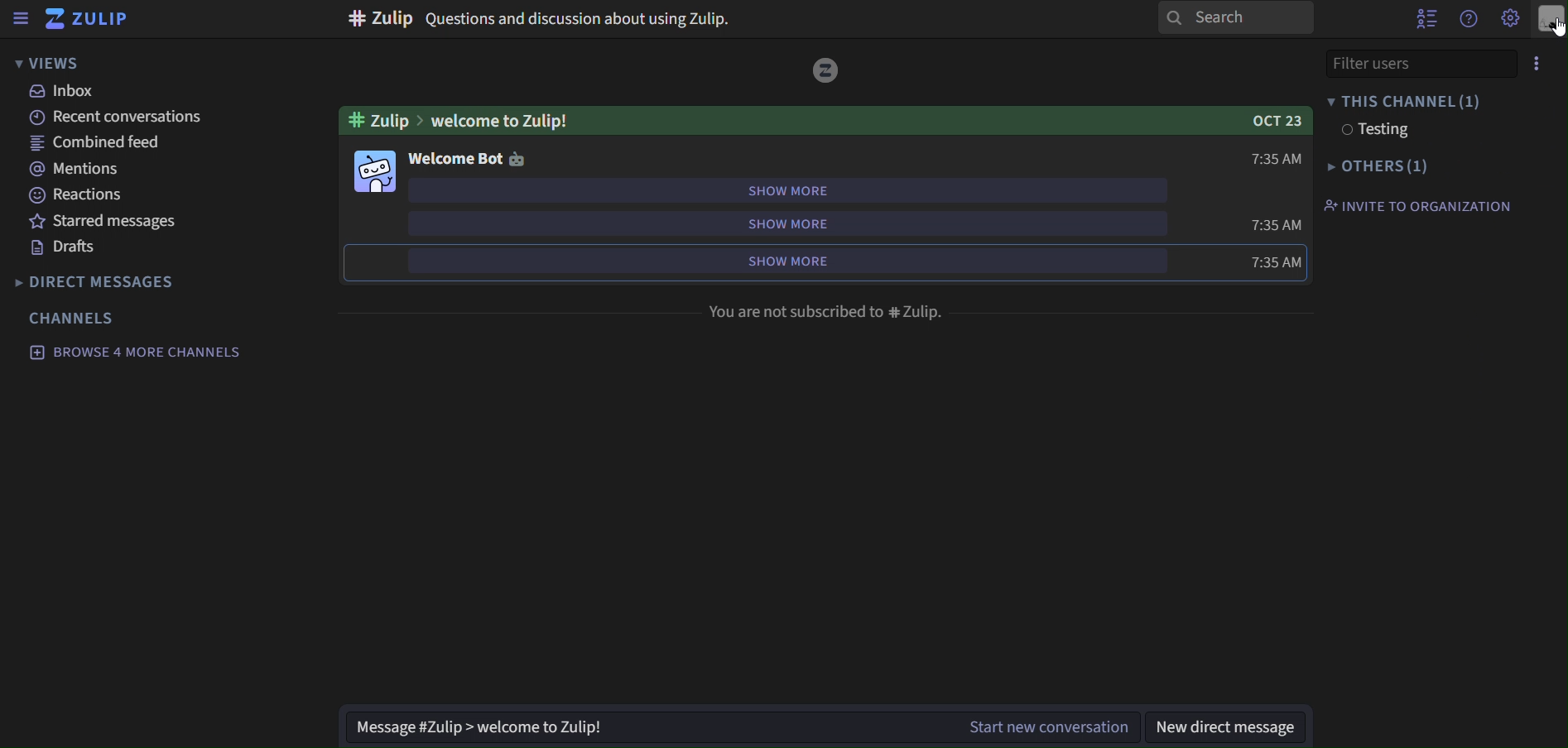 The height and width of the screenshot is (748, 1568). I want to click on direct messages, so click(100, 280).